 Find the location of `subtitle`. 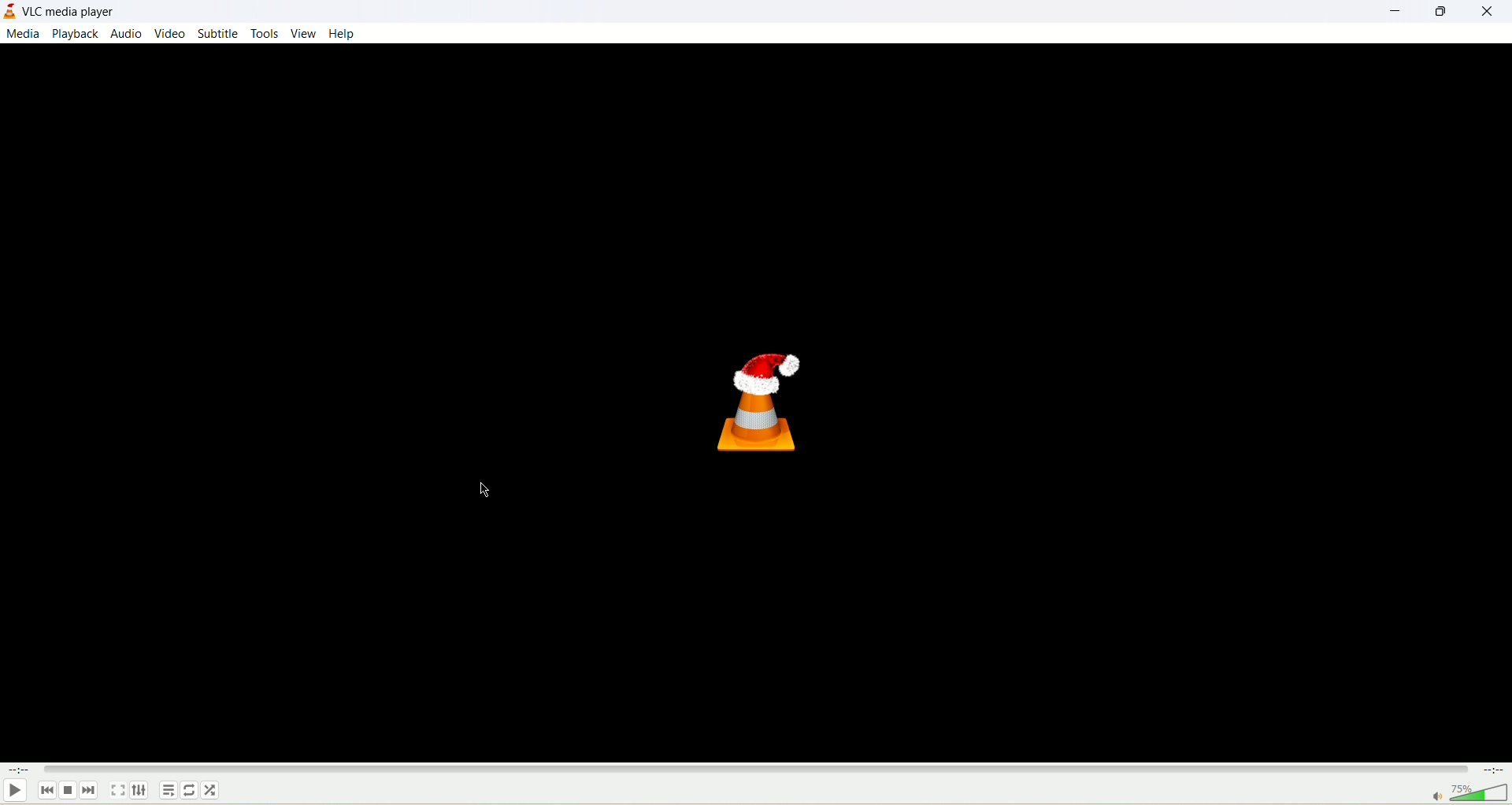

subtitle is located at coordinates (220, 33).